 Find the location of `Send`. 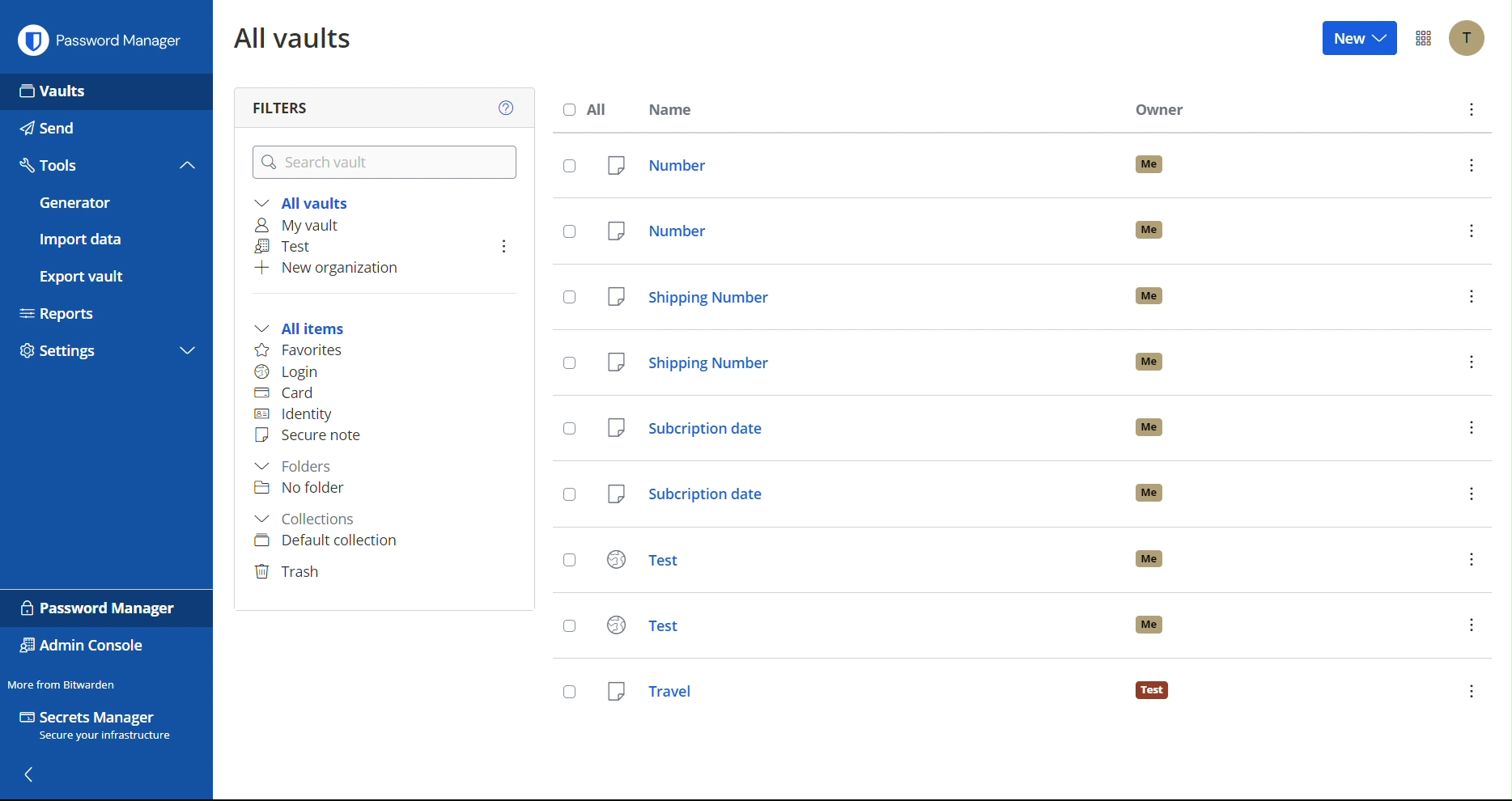

Send is located at coordinates (104, 128).